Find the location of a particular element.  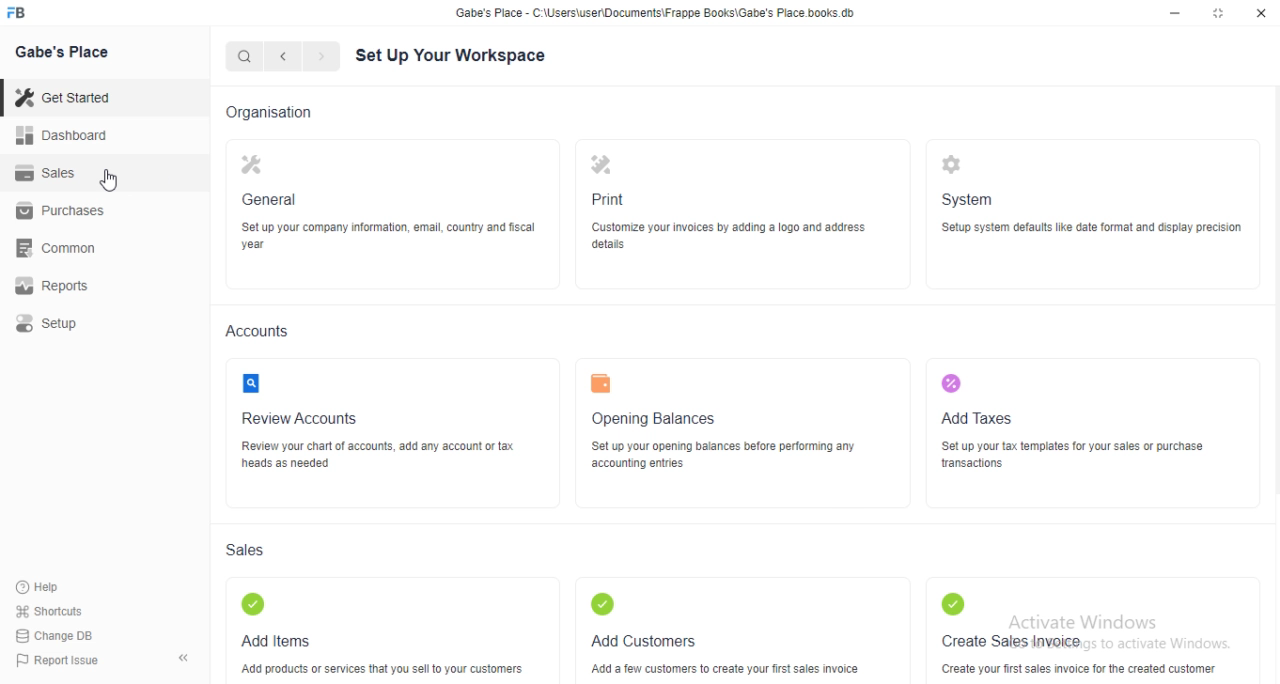

general is located at coordinates (269, 198).